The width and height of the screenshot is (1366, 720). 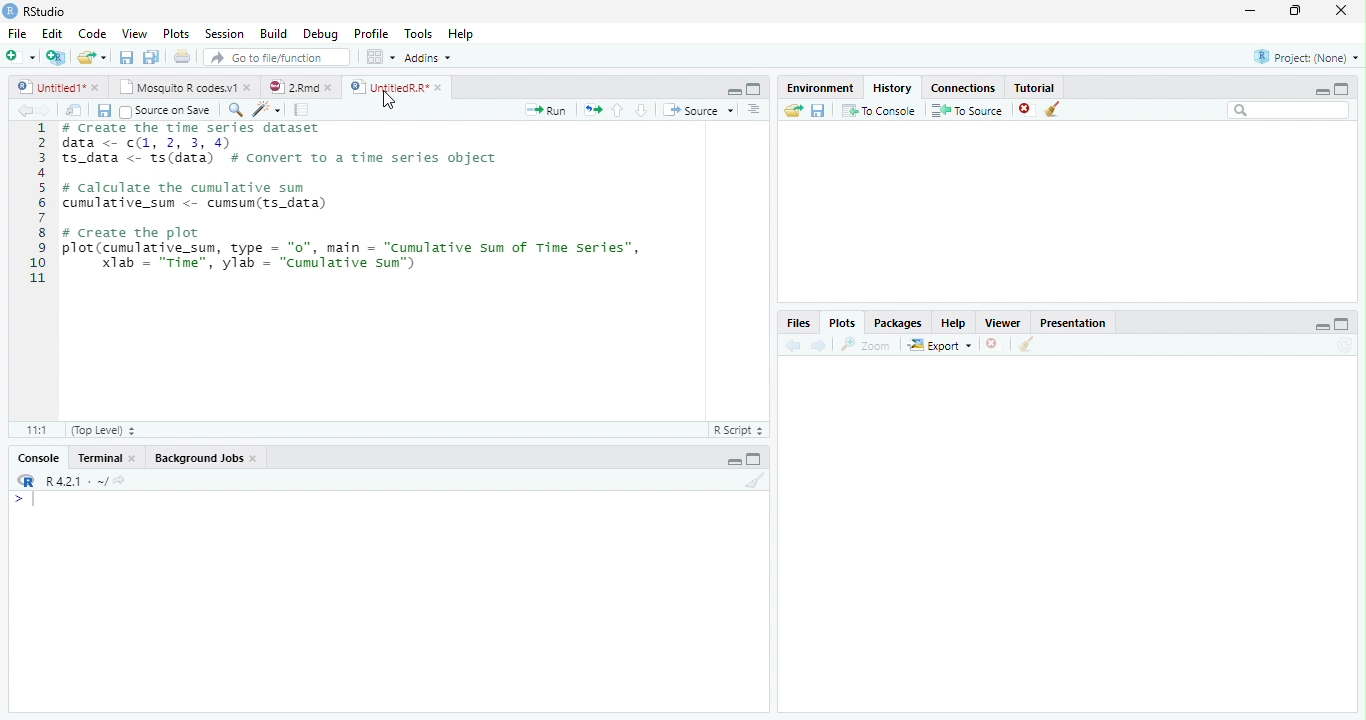 I want to click on Export, so click(x=939, y=347).